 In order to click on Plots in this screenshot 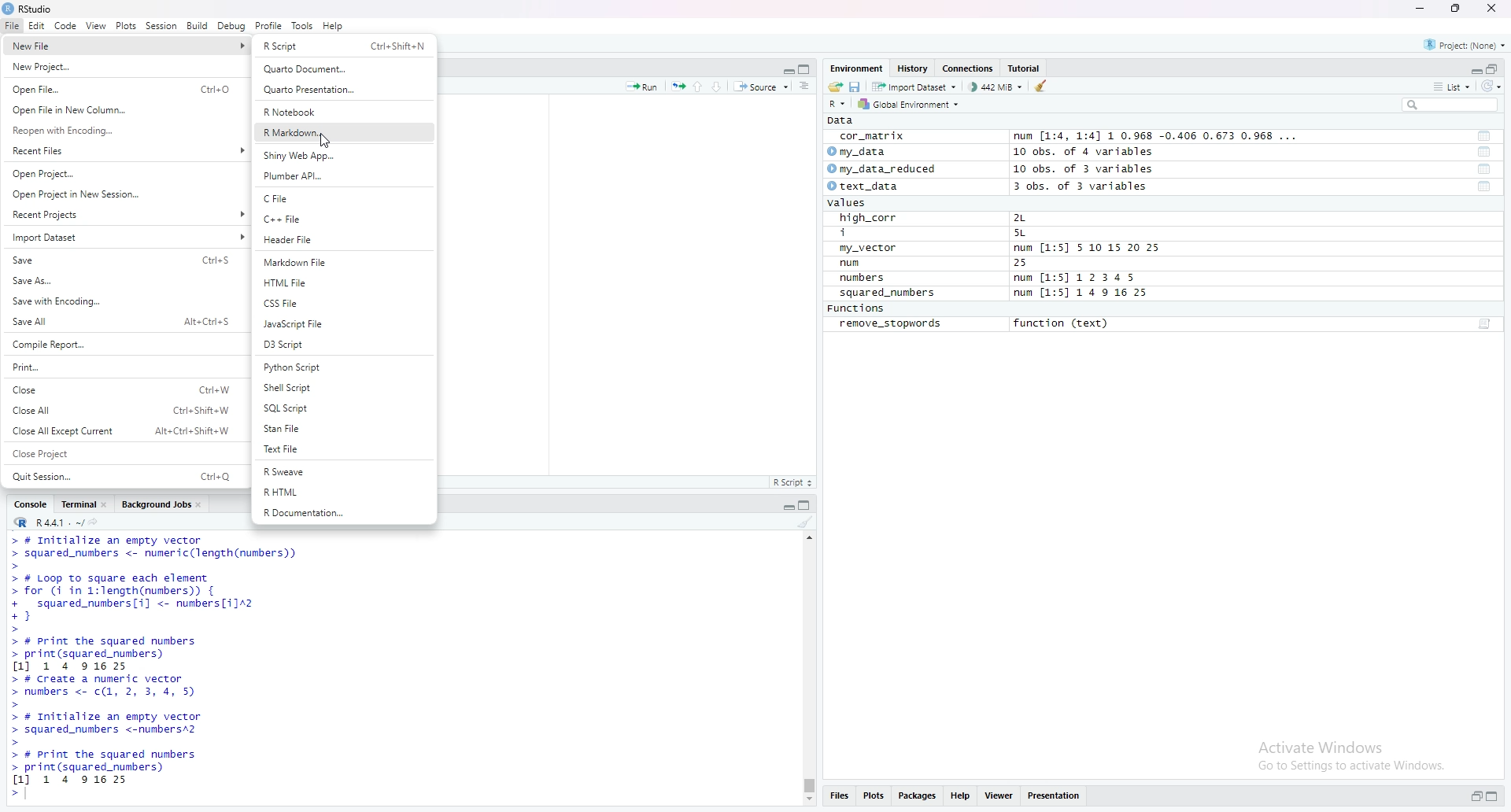, I will do `click(125, 25)`.